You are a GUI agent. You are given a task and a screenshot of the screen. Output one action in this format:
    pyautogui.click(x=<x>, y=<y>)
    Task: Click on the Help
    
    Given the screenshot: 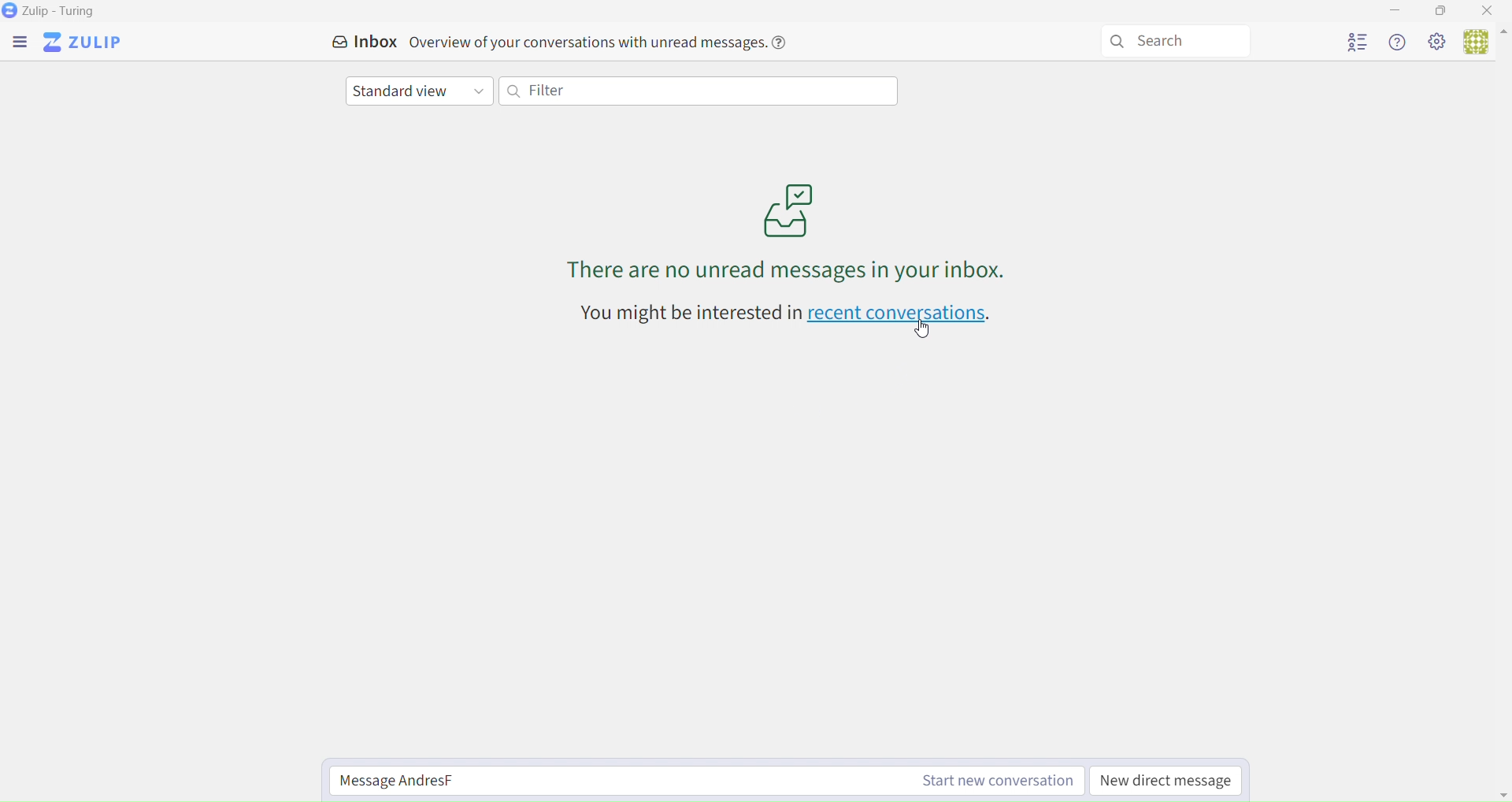 What is the action you would take?
    pyautogui.click(x=1395, y=43)
    